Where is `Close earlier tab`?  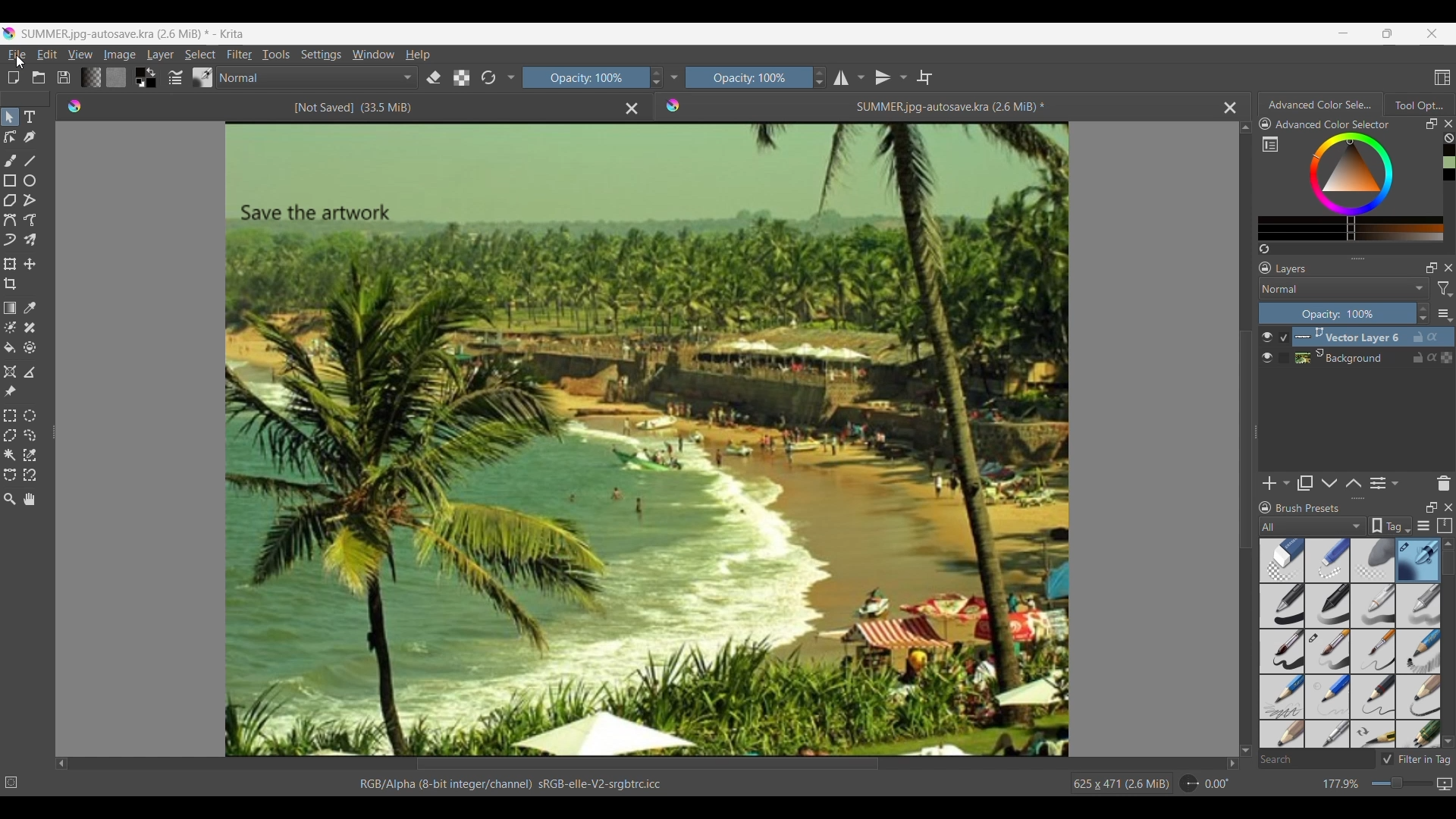 Close earlier tab is located at coordinates (632, 109).